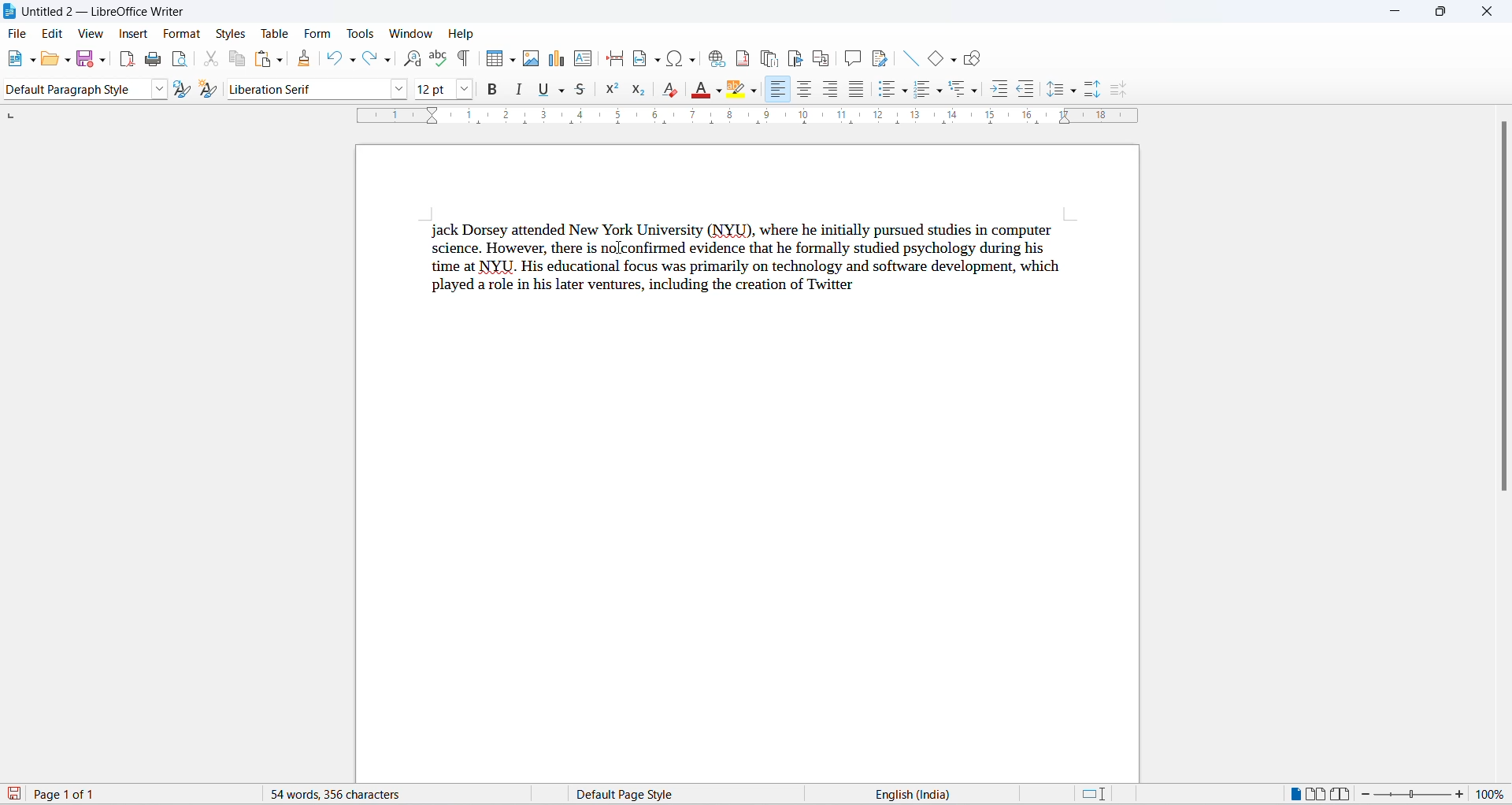 The height and width of the screenshot is (805, 1512). Describe the element at coordinates (999, 91) in the screenshot. I see `increase indent` at that location.